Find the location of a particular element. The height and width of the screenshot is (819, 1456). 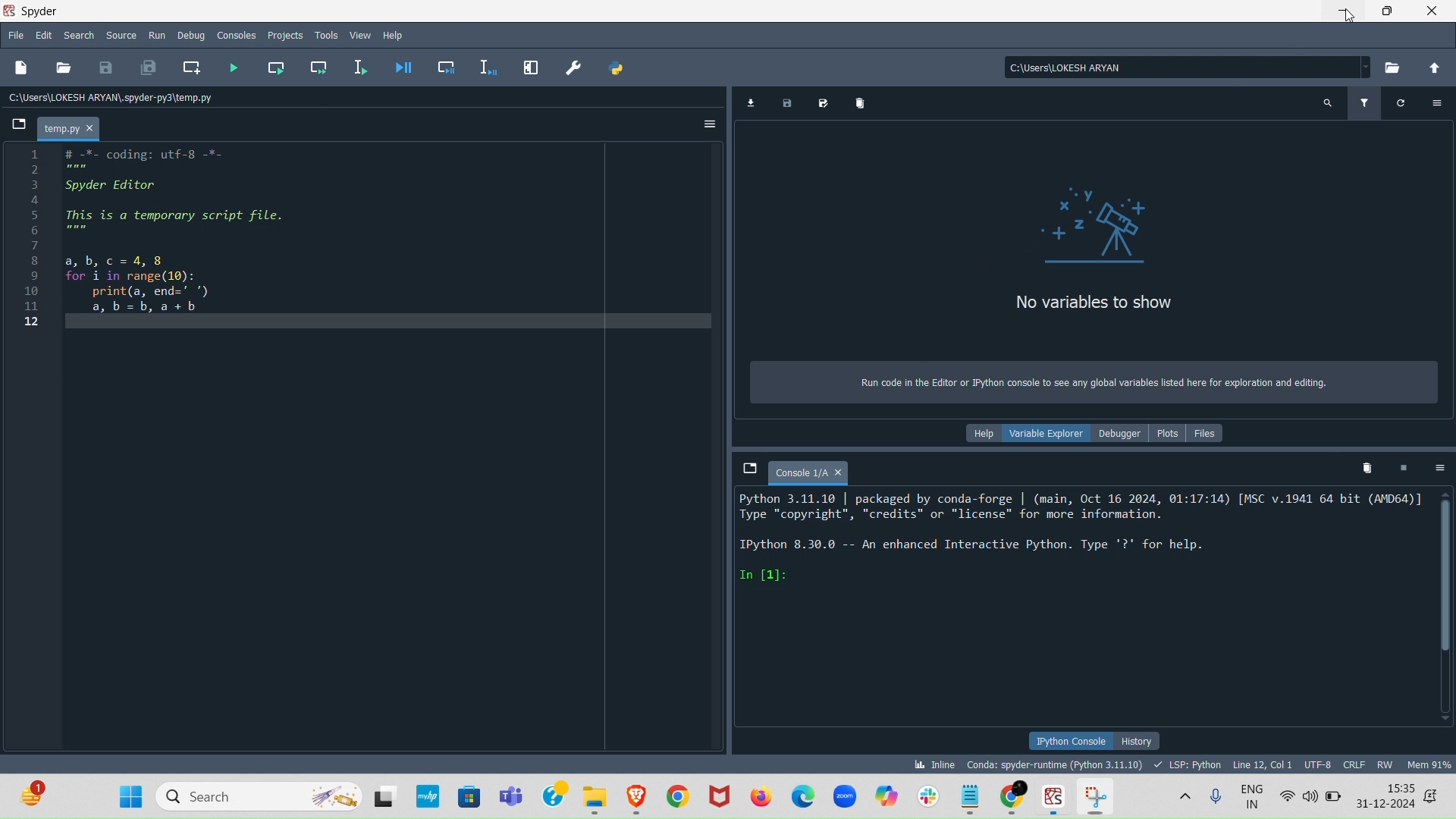

Variable explorer is located at coordinates (1041, 431).